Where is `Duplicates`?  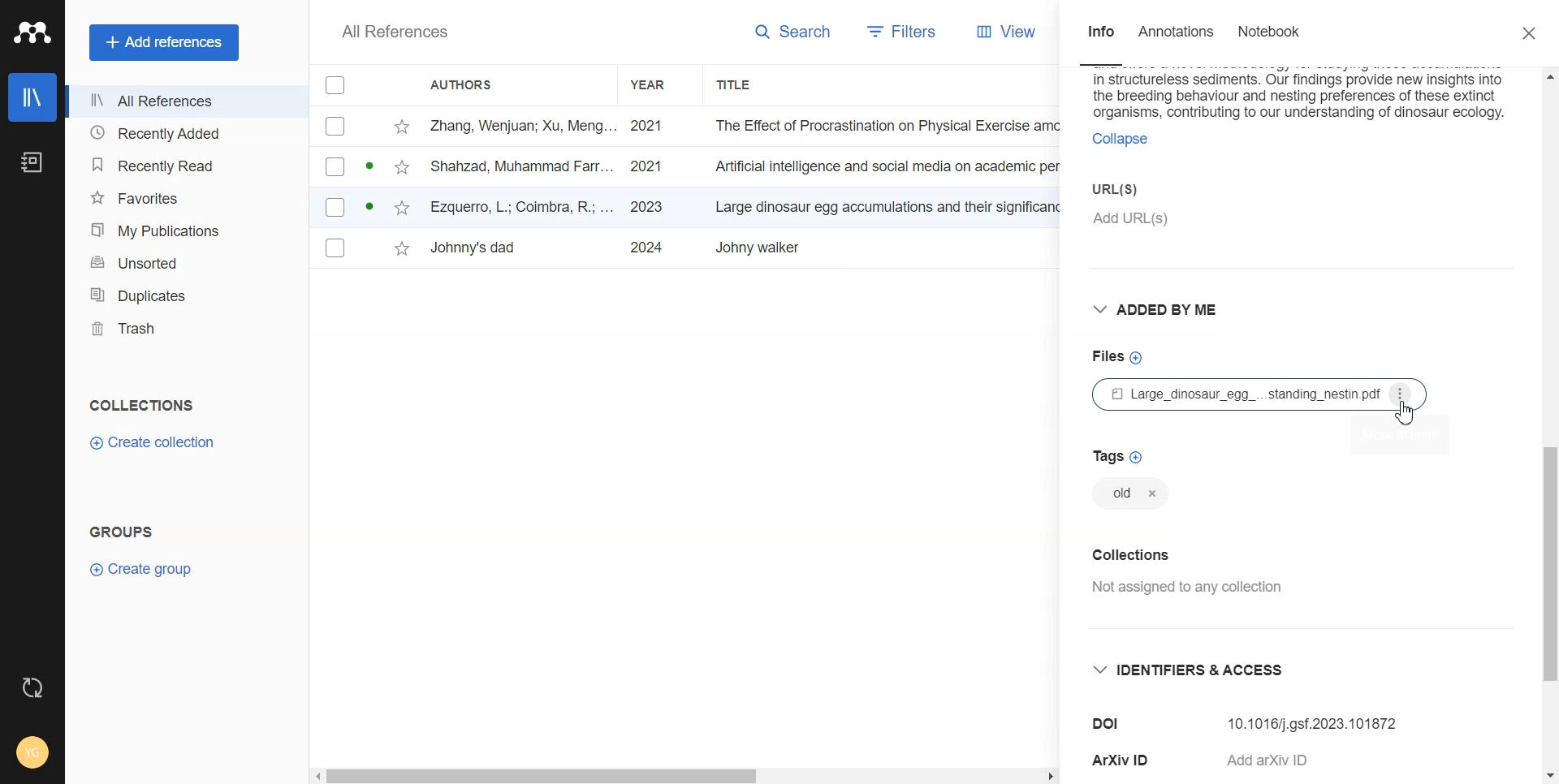 Duplicates is located at coordinates (179, 293).